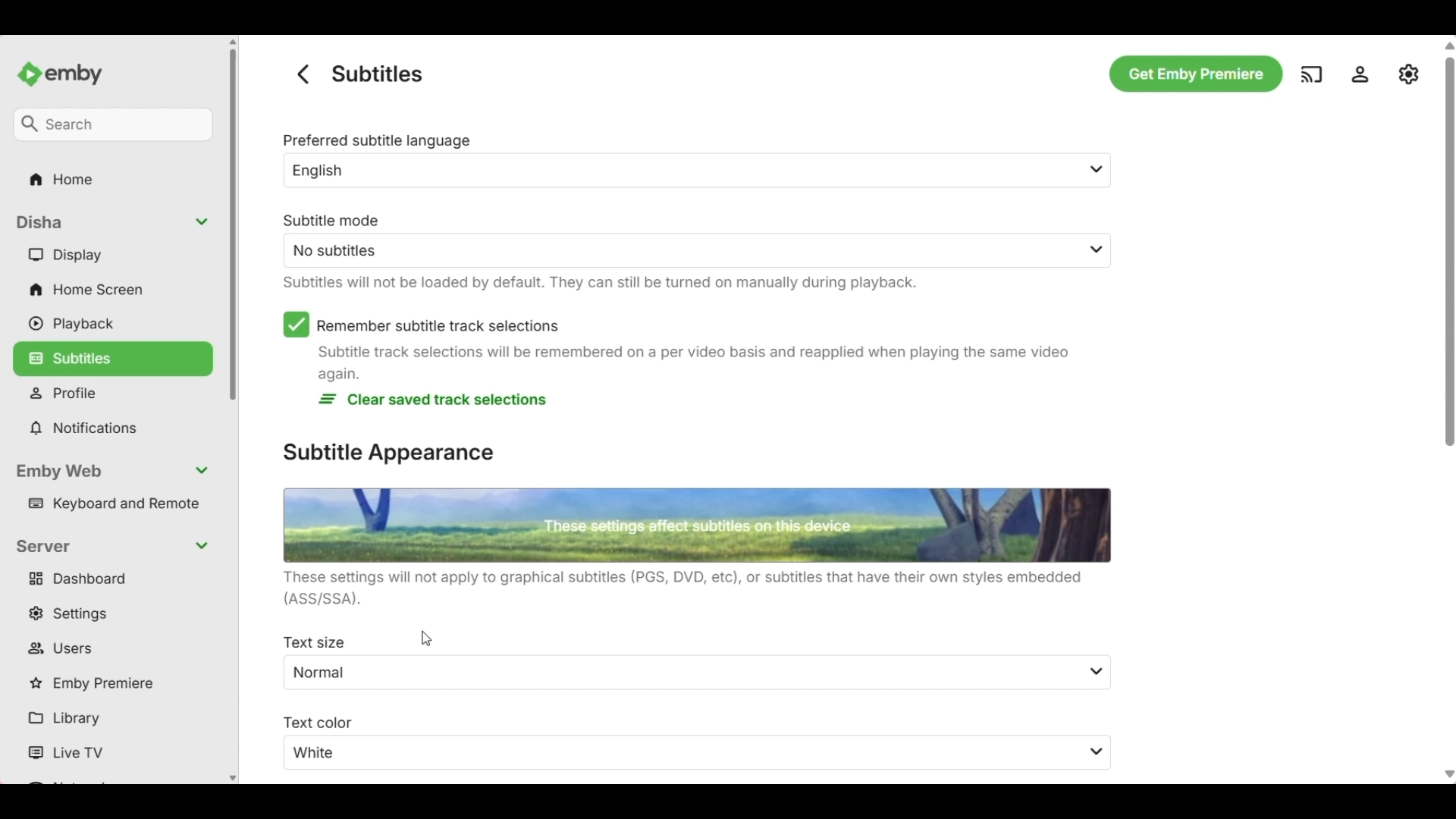 The height and width of the screenshot is (819, 1456). Describe the element at coordinates (678, 240) in the screenshot. I see `Subtitle mode changed to new selection` at that location.